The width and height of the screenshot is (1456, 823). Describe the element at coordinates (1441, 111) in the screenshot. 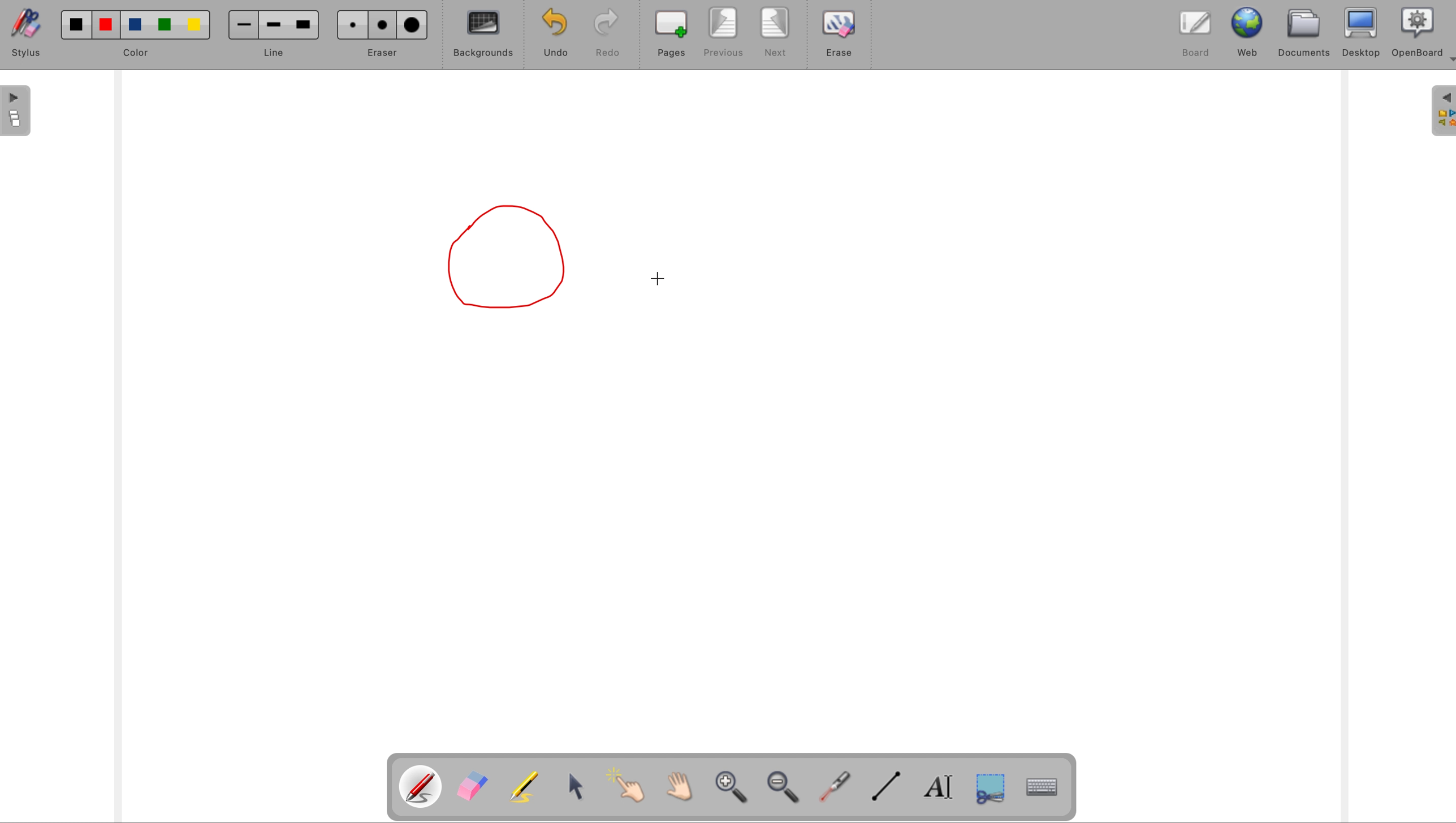

I see `sidebar` at that location.